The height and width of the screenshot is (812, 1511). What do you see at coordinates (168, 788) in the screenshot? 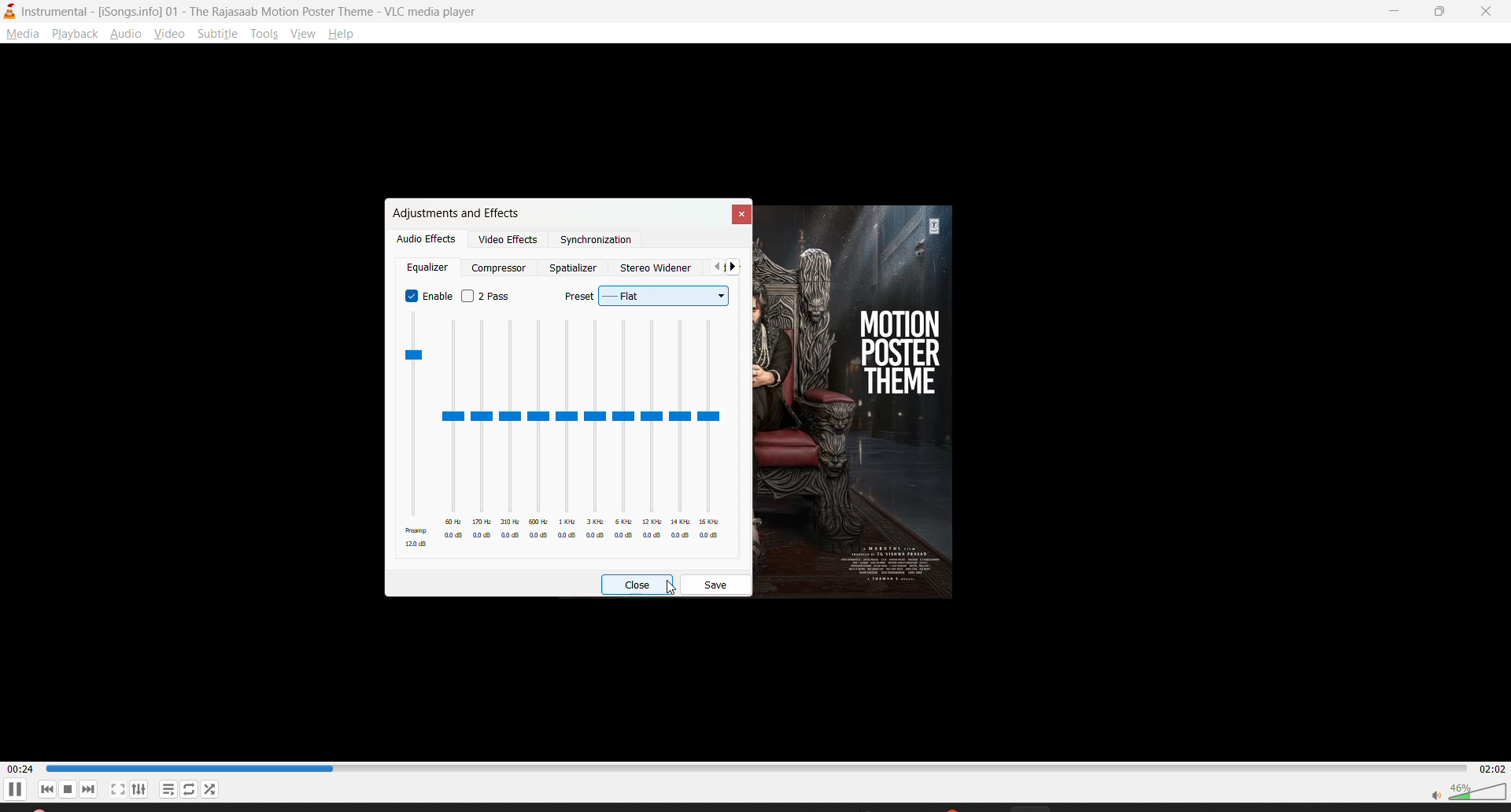
I see `playlist` at bounding box center [168, 788].